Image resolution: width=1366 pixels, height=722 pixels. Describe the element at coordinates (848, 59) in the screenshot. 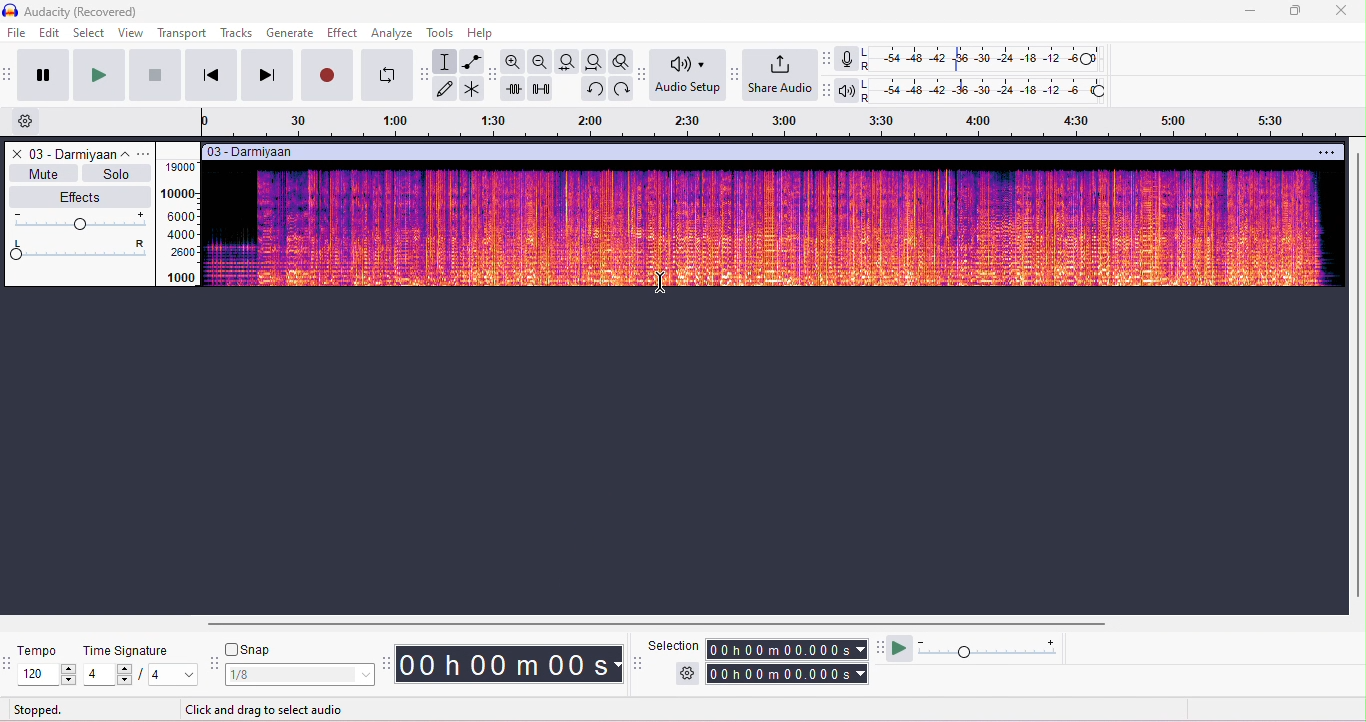

I see `recording meter` at that location.